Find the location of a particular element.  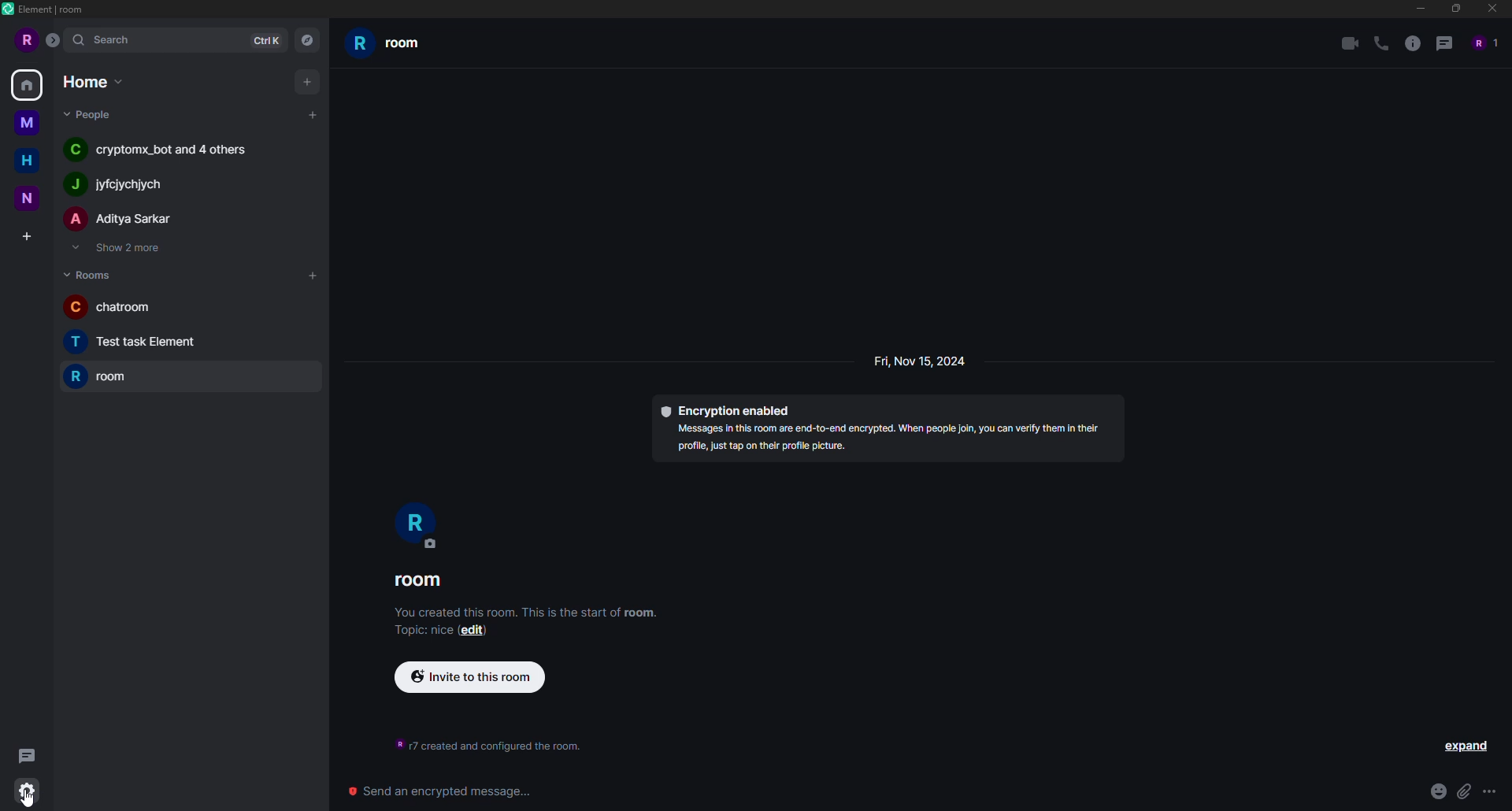

threads is located at coordinates (25, 753).